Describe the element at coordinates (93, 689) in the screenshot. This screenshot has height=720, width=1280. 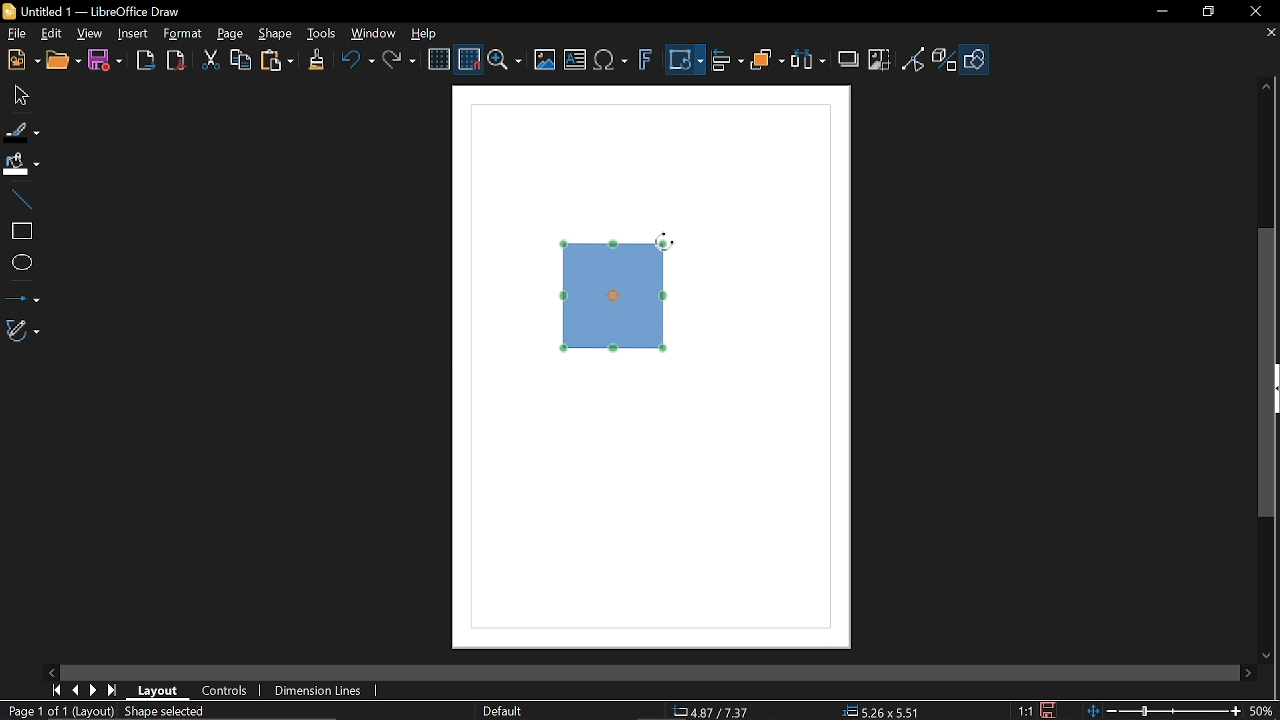
I see `next page` at that location.